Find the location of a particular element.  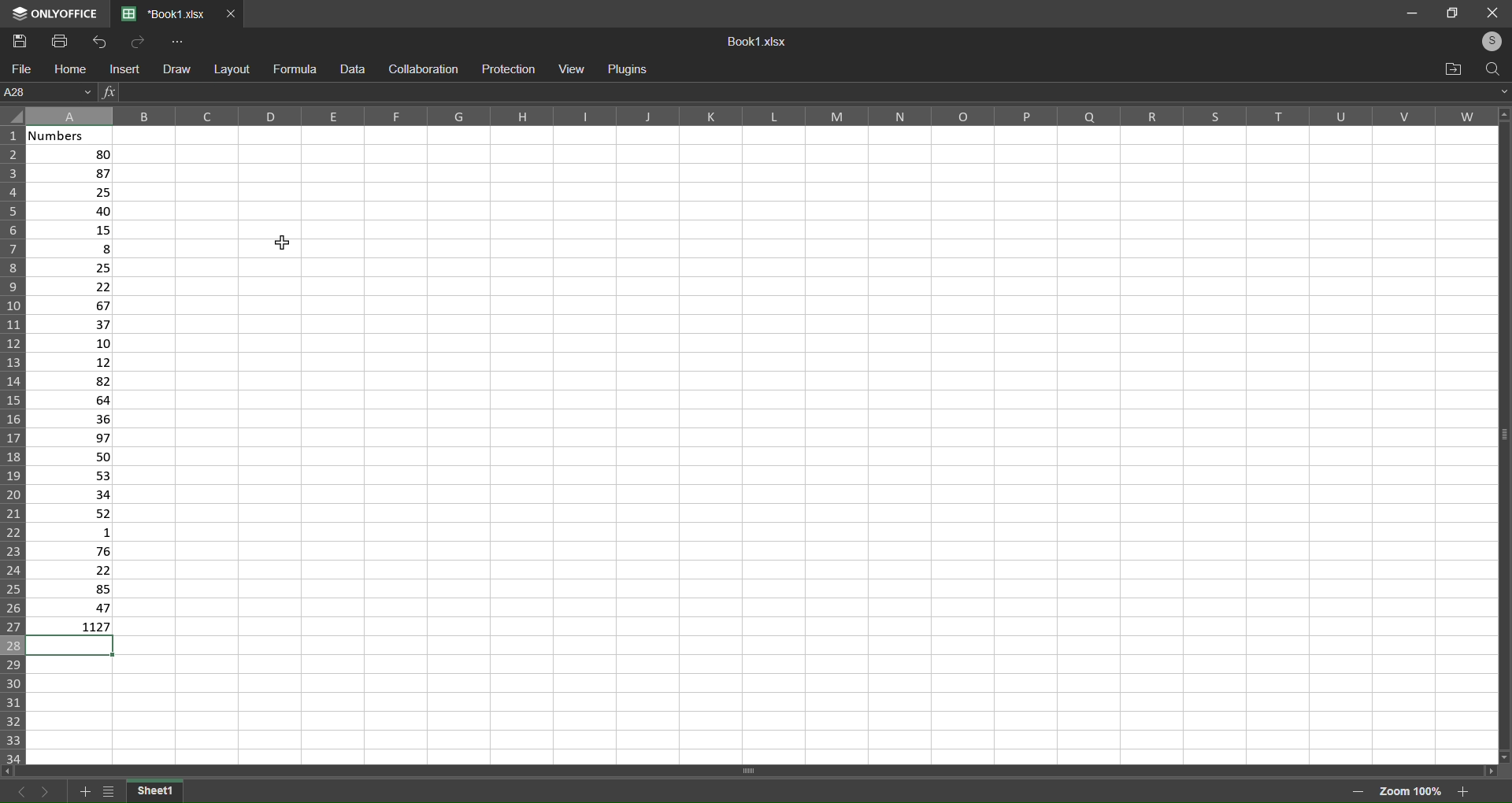

More is located at coordinates (180, 43).